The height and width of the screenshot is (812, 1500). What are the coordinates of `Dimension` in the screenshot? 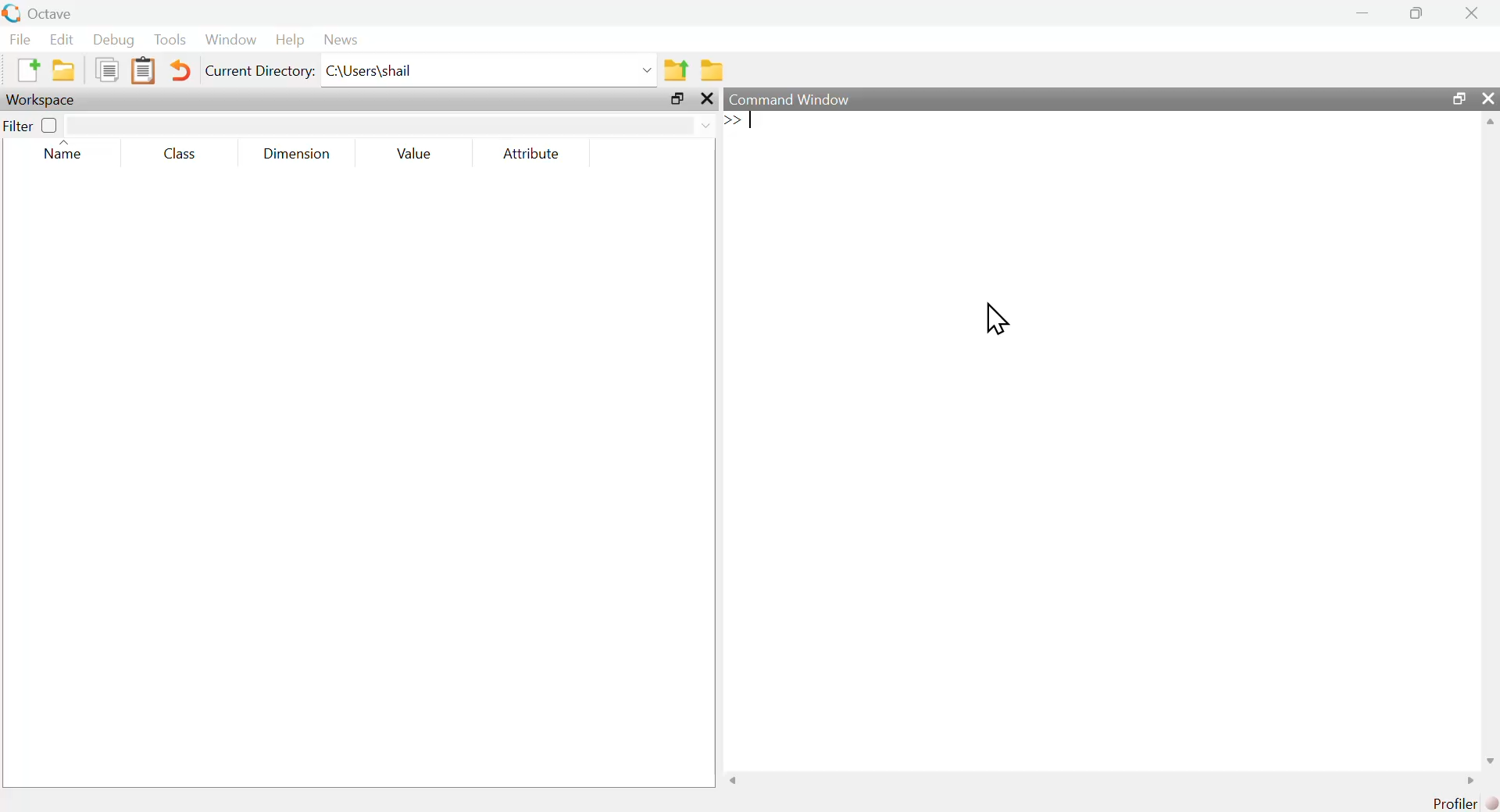 It's located at (297, 154).